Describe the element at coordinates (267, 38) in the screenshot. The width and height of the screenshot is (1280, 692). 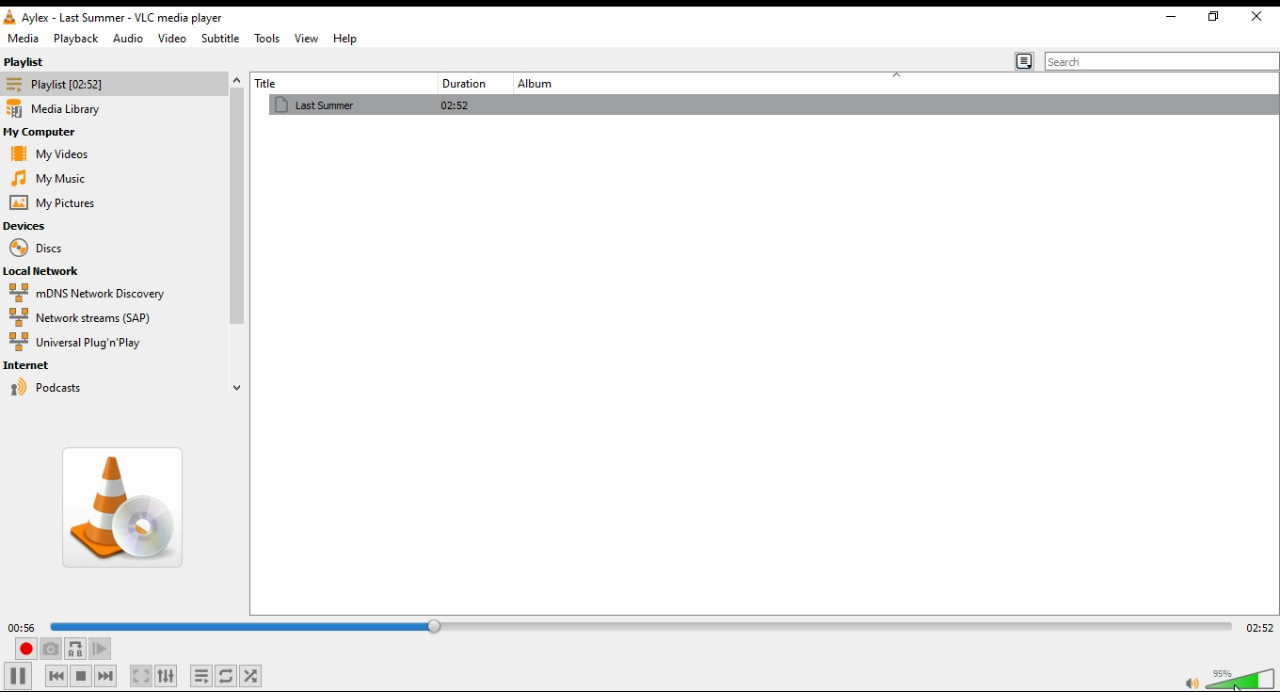
I see `tools` at that location.